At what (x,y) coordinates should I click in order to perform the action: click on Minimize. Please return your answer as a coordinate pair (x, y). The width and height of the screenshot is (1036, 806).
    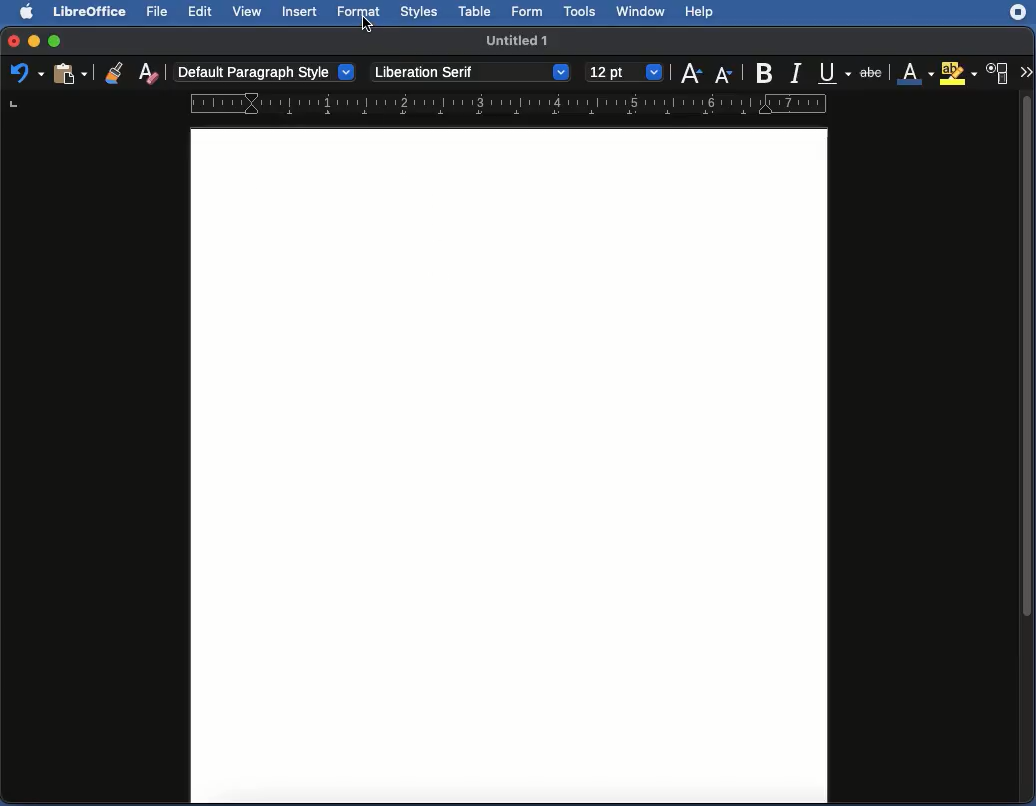
    Looking at the image, I should click on (34, 40).